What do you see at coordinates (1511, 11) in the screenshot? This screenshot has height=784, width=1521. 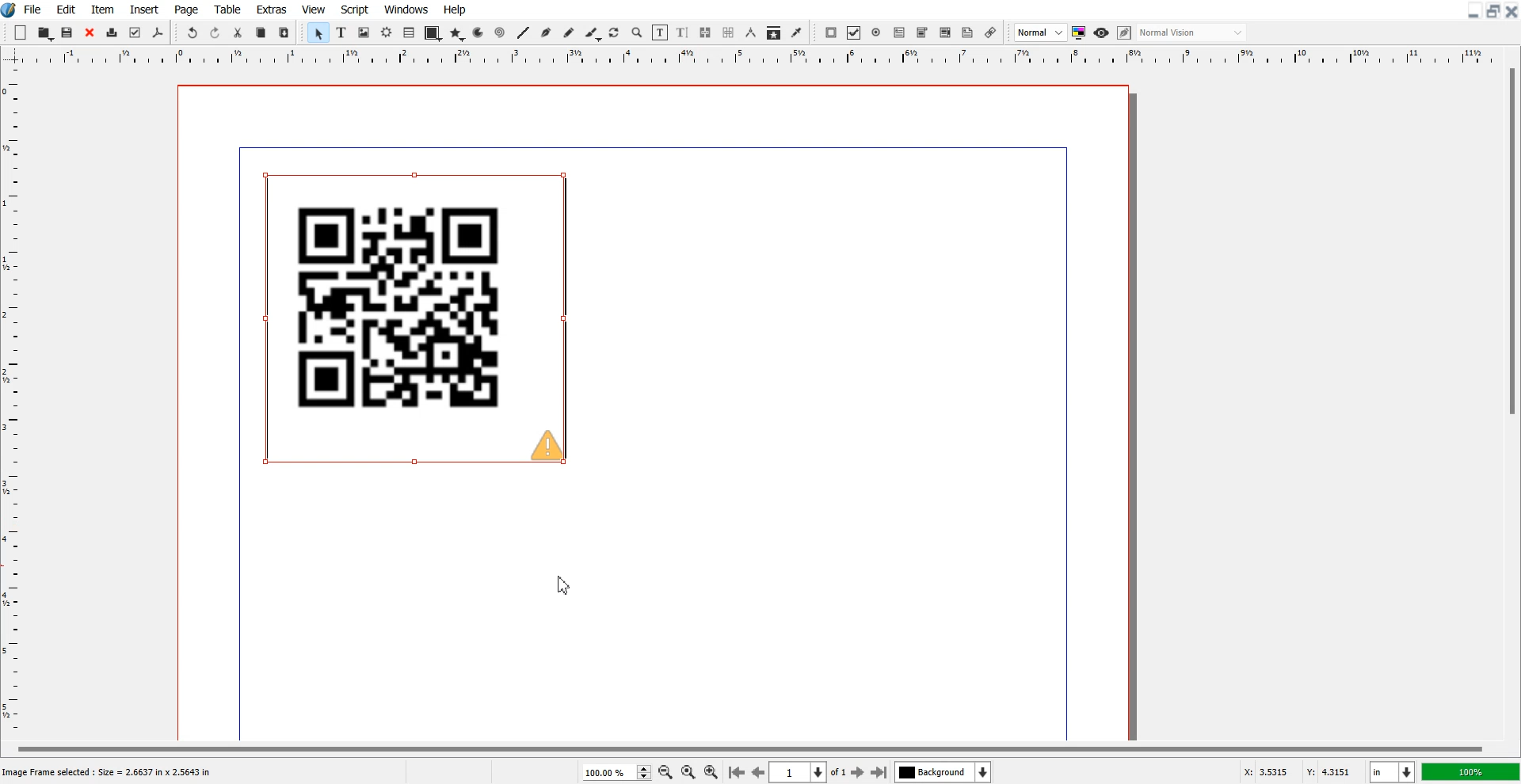 I see `Close` at bounding box center [1511, 11].